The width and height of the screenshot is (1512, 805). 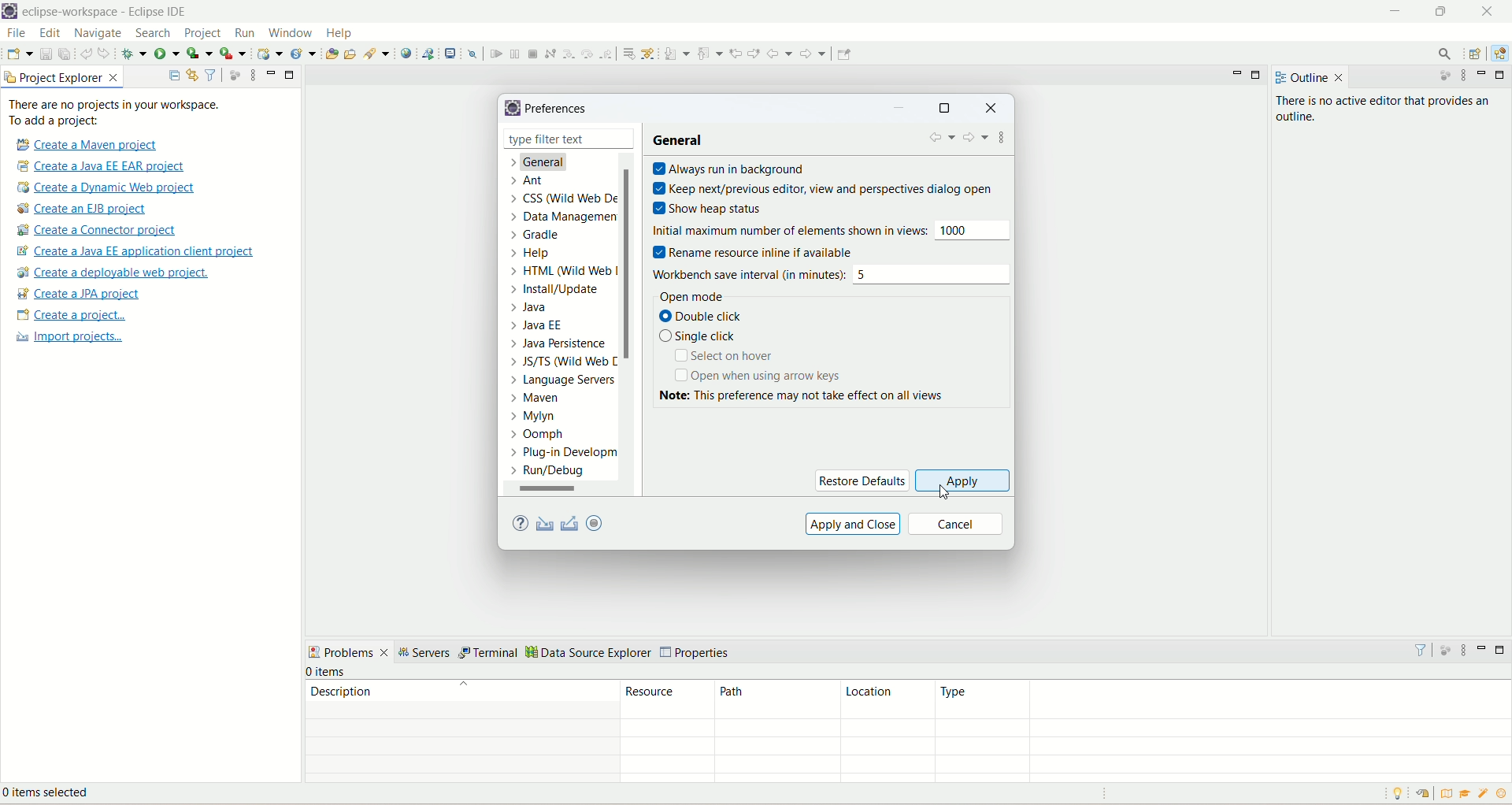 I want to click on focus on active task, so click(x=1443, y=648).